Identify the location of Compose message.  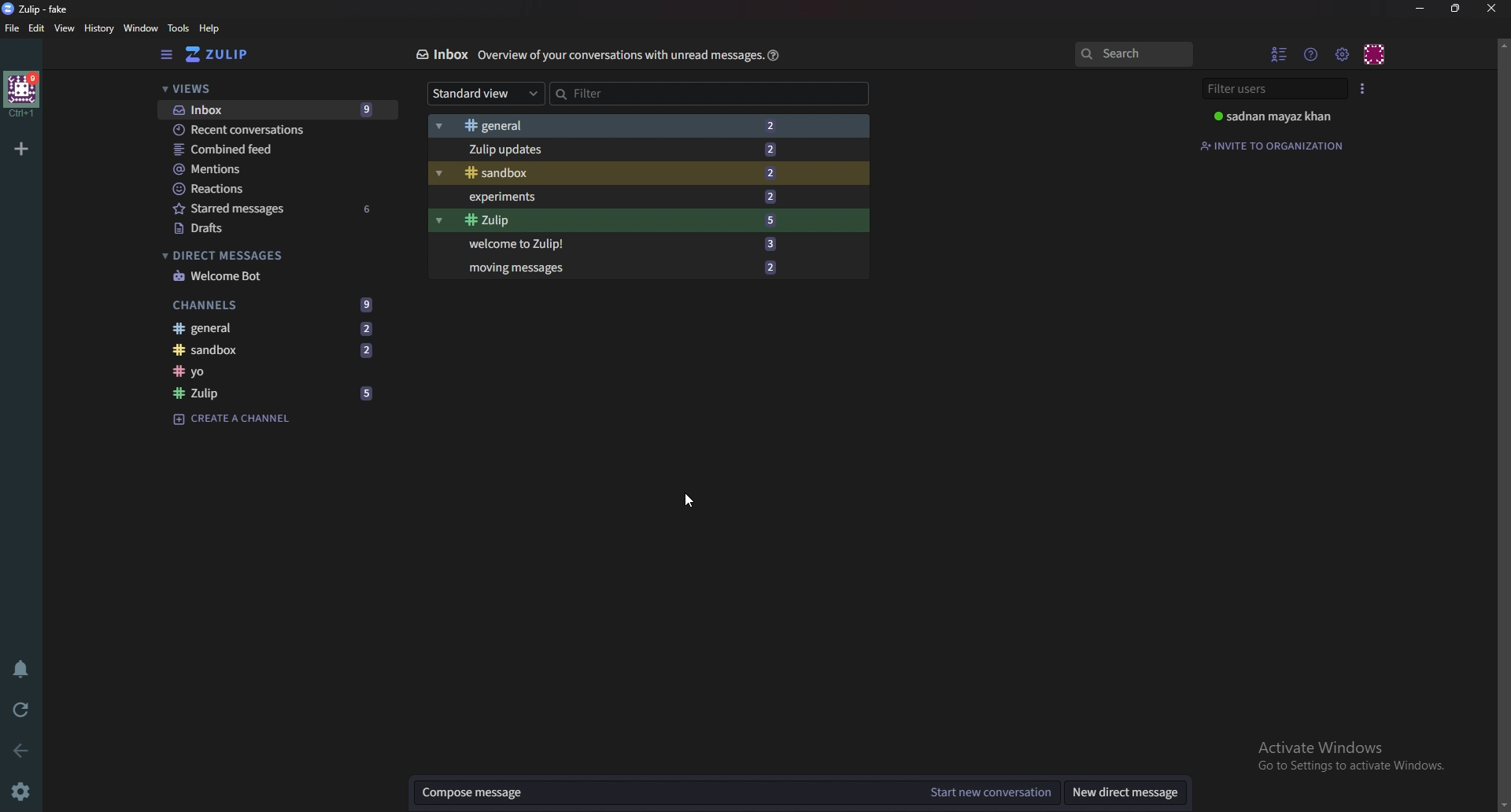
(658, 794).